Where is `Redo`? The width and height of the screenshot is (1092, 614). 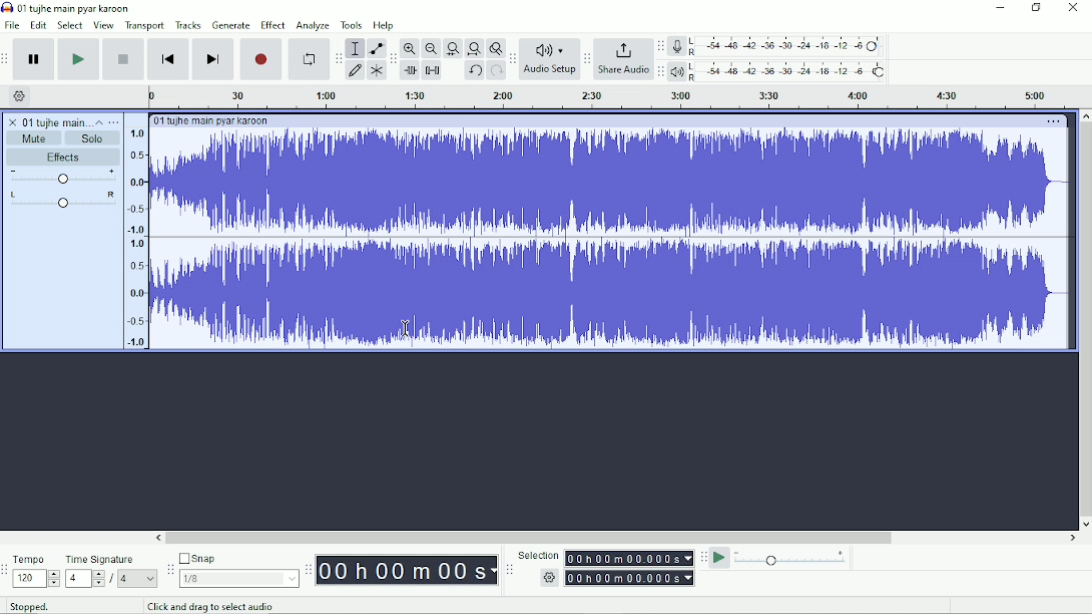 Redo is located at coordinates (496, 70).